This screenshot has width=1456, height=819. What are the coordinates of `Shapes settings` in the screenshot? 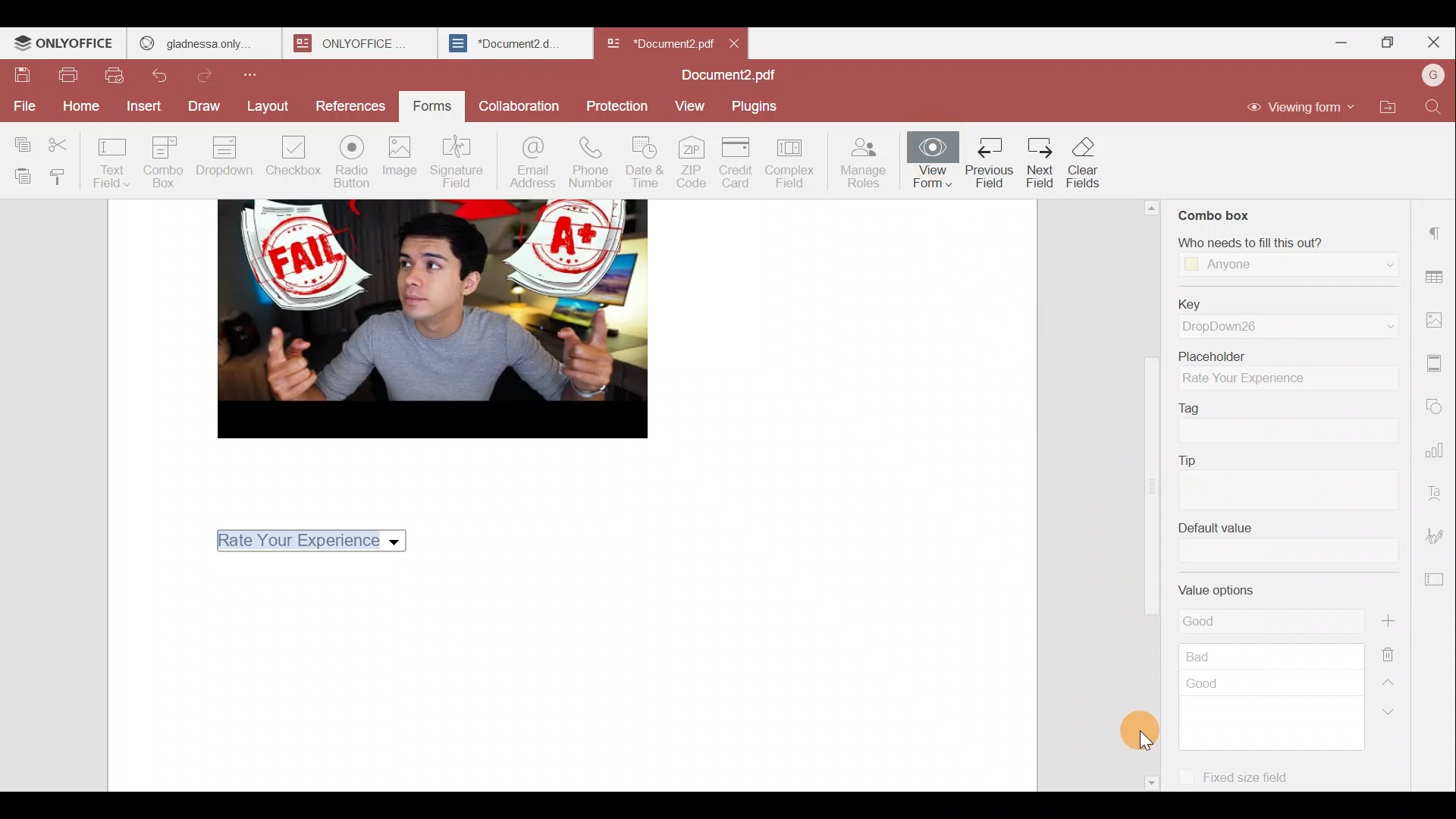 It's located at (1439, 403).